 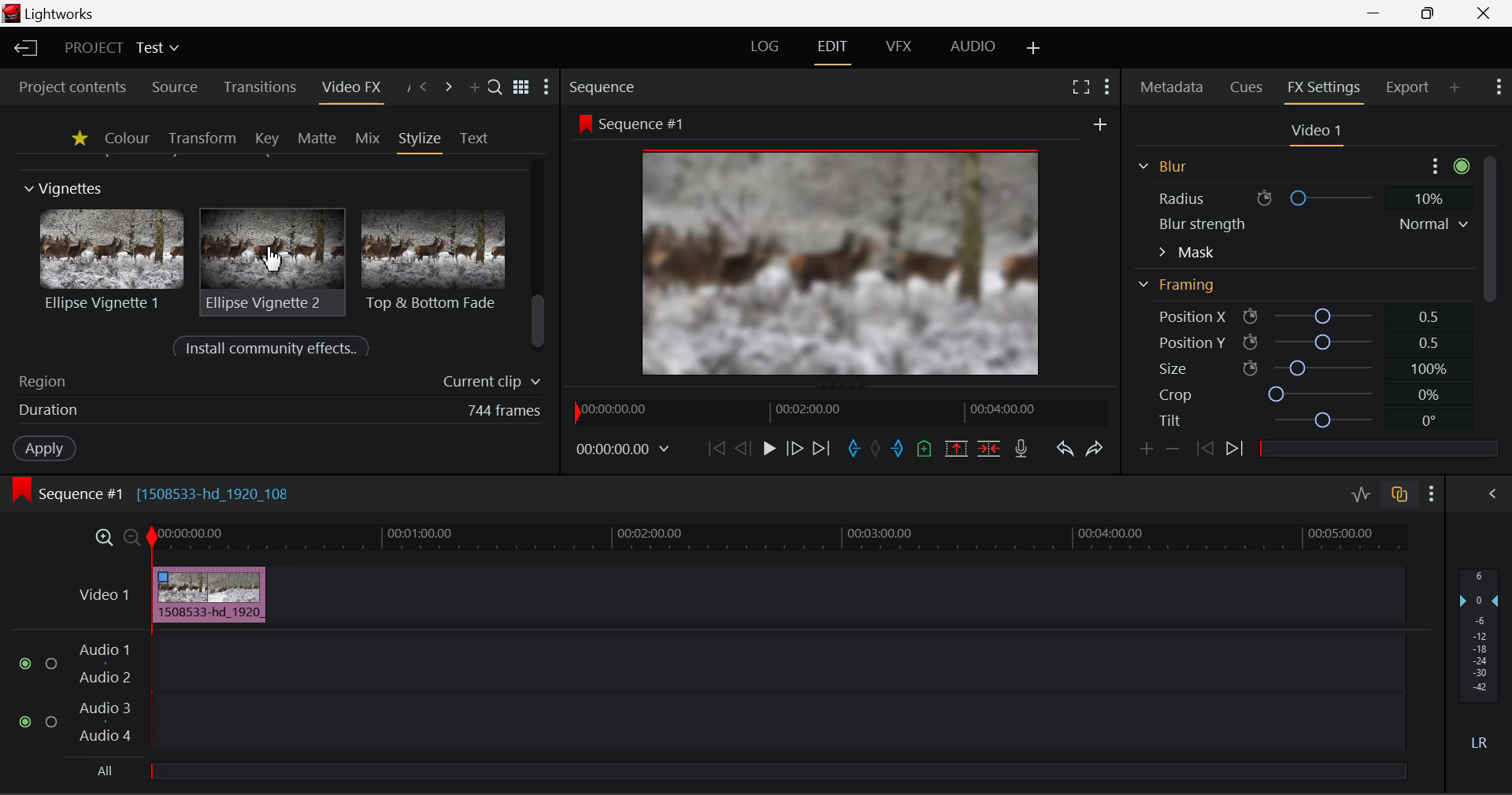 I want to click on Blur strength Normal v, so click(x=1311, y=224).